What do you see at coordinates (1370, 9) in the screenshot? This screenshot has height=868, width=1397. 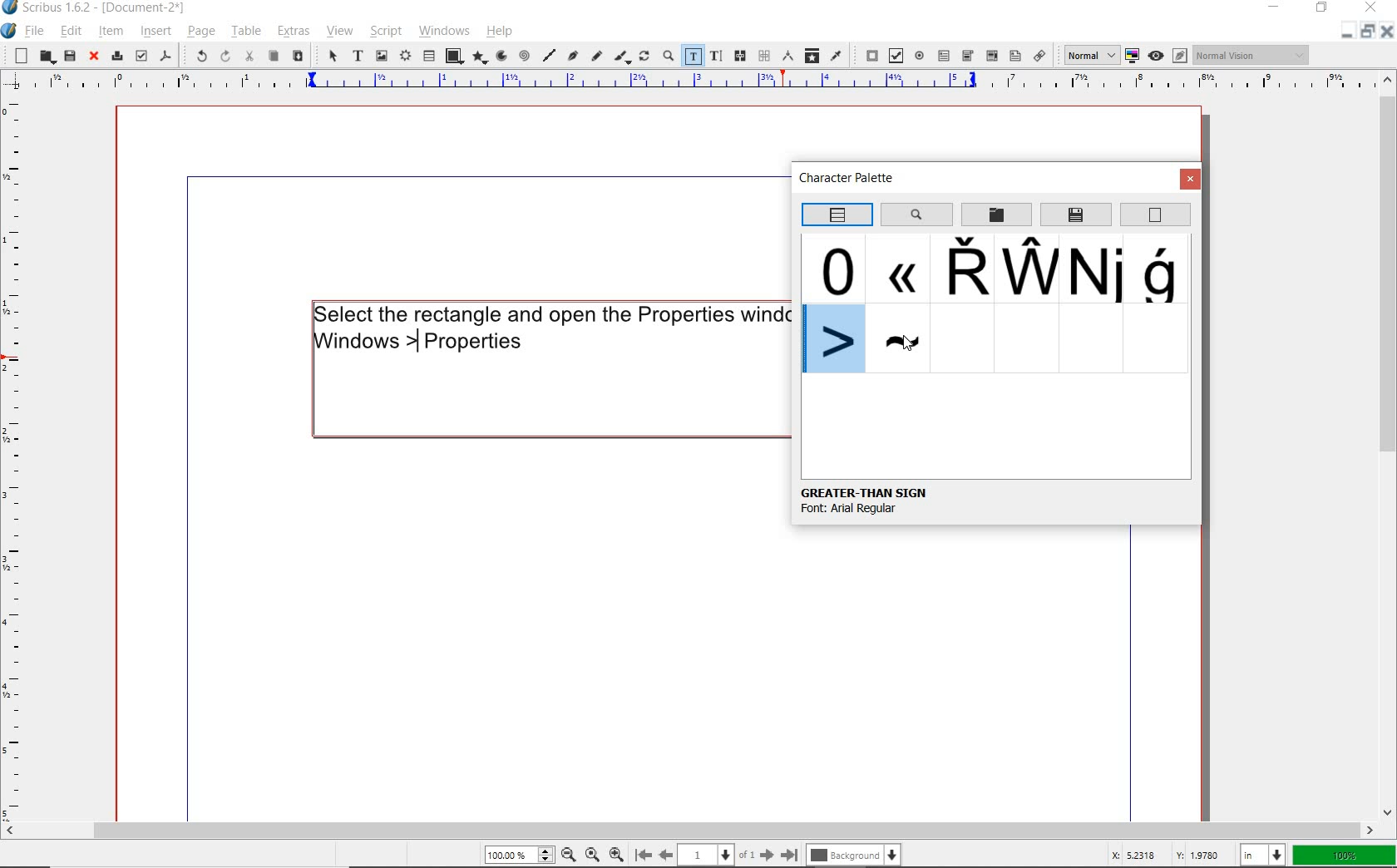 I see `close` at bounding box center [1370, 9].